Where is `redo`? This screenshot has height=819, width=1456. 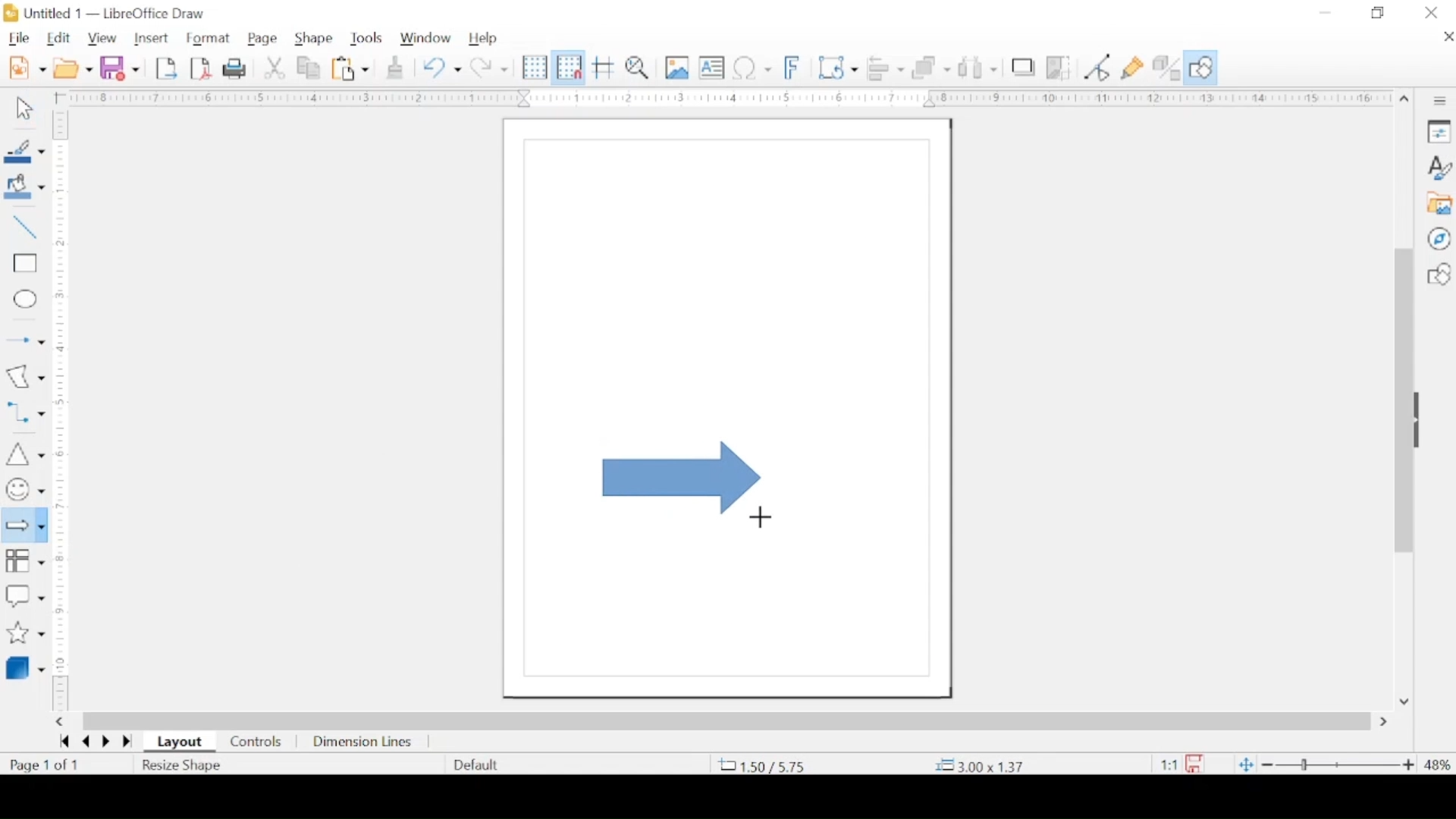 redo is located at coordinates (489, 67).